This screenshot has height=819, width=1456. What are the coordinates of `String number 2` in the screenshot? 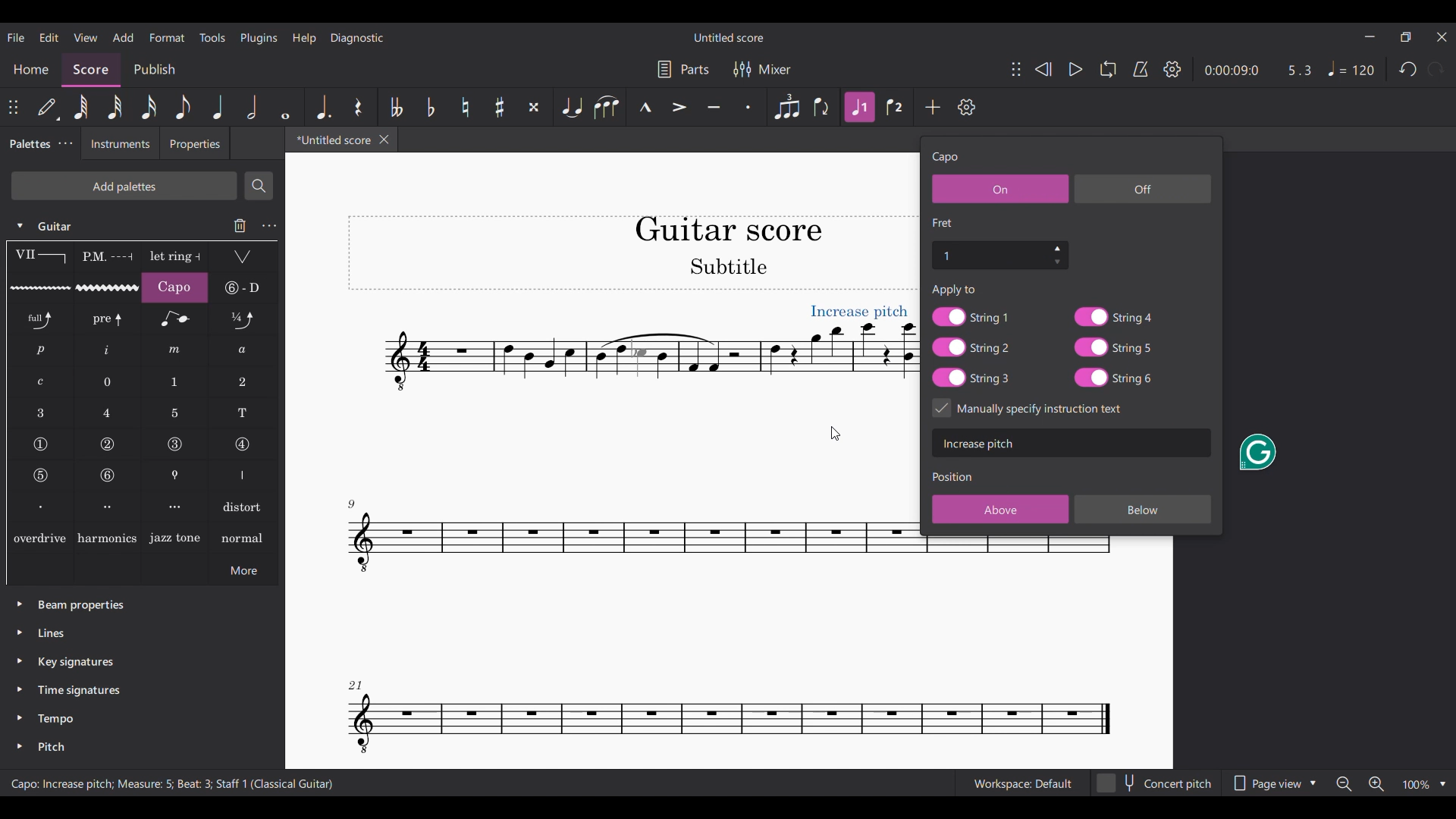 It's located at (108, 444).